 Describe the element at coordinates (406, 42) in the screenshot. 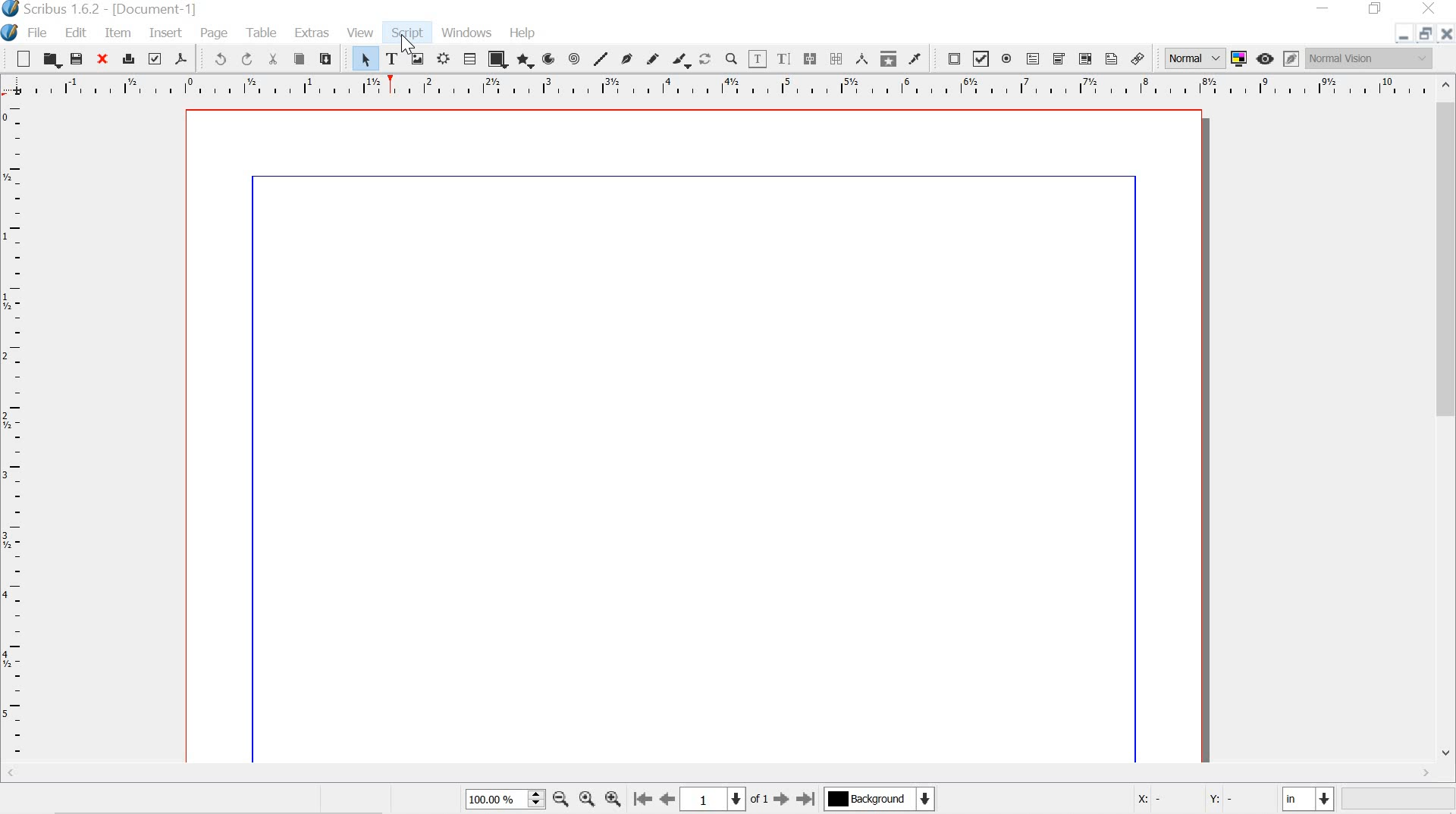

I see `cursor` at that location.